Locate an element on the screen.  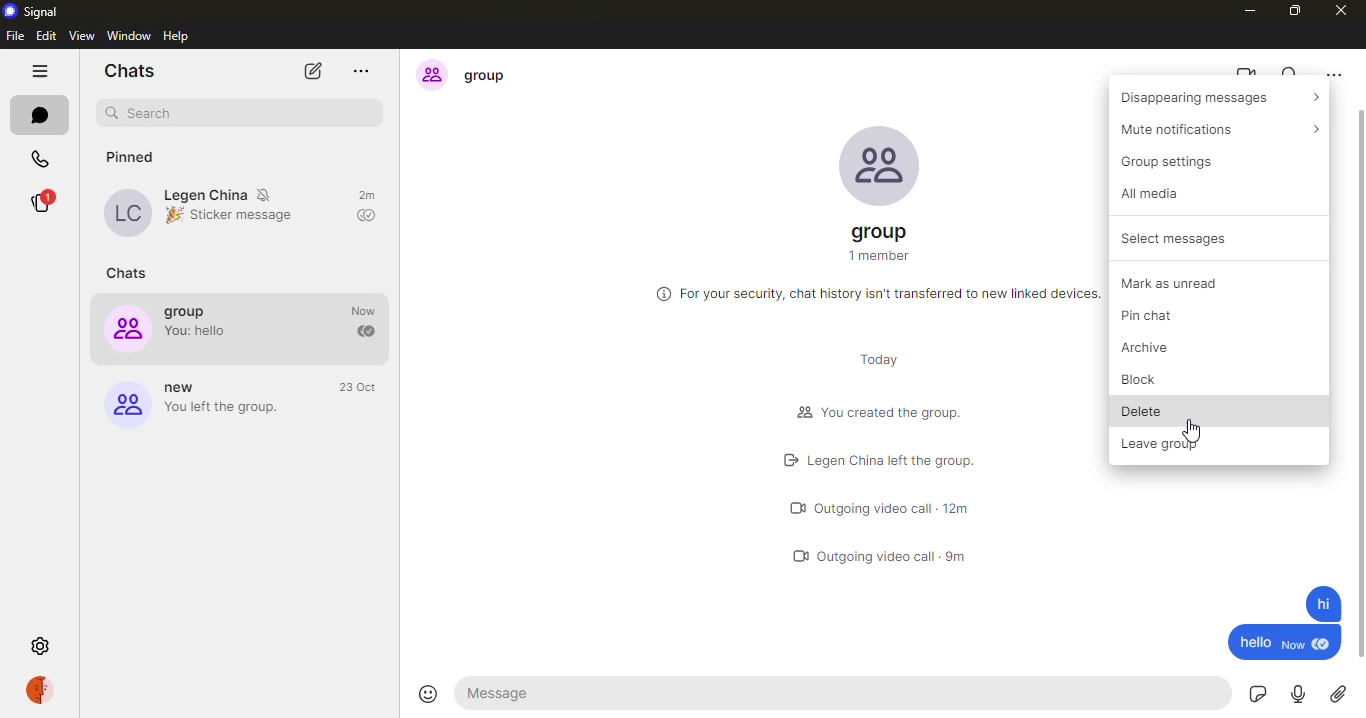
hide tabs is located at coordinates (37, 69).